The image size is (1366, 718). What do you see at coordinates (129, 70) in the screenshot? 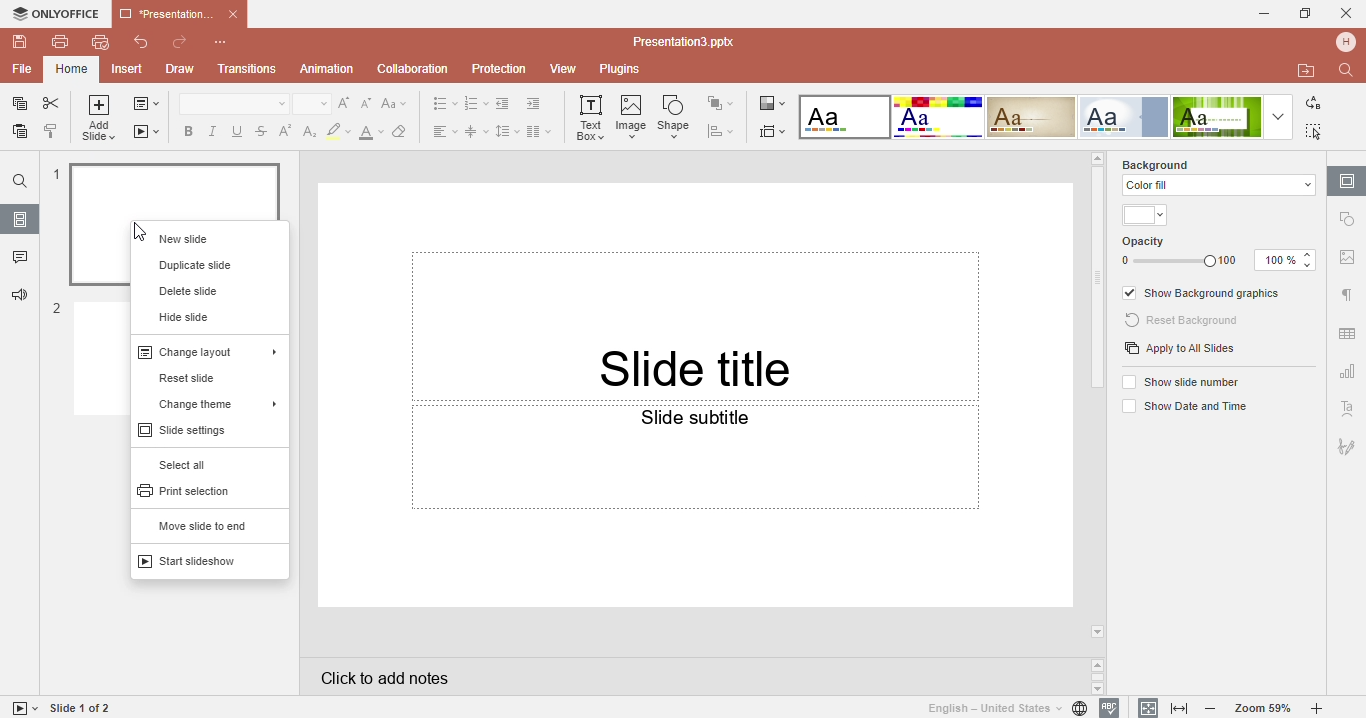
I see `Insert` at bounding box center [129, 70].